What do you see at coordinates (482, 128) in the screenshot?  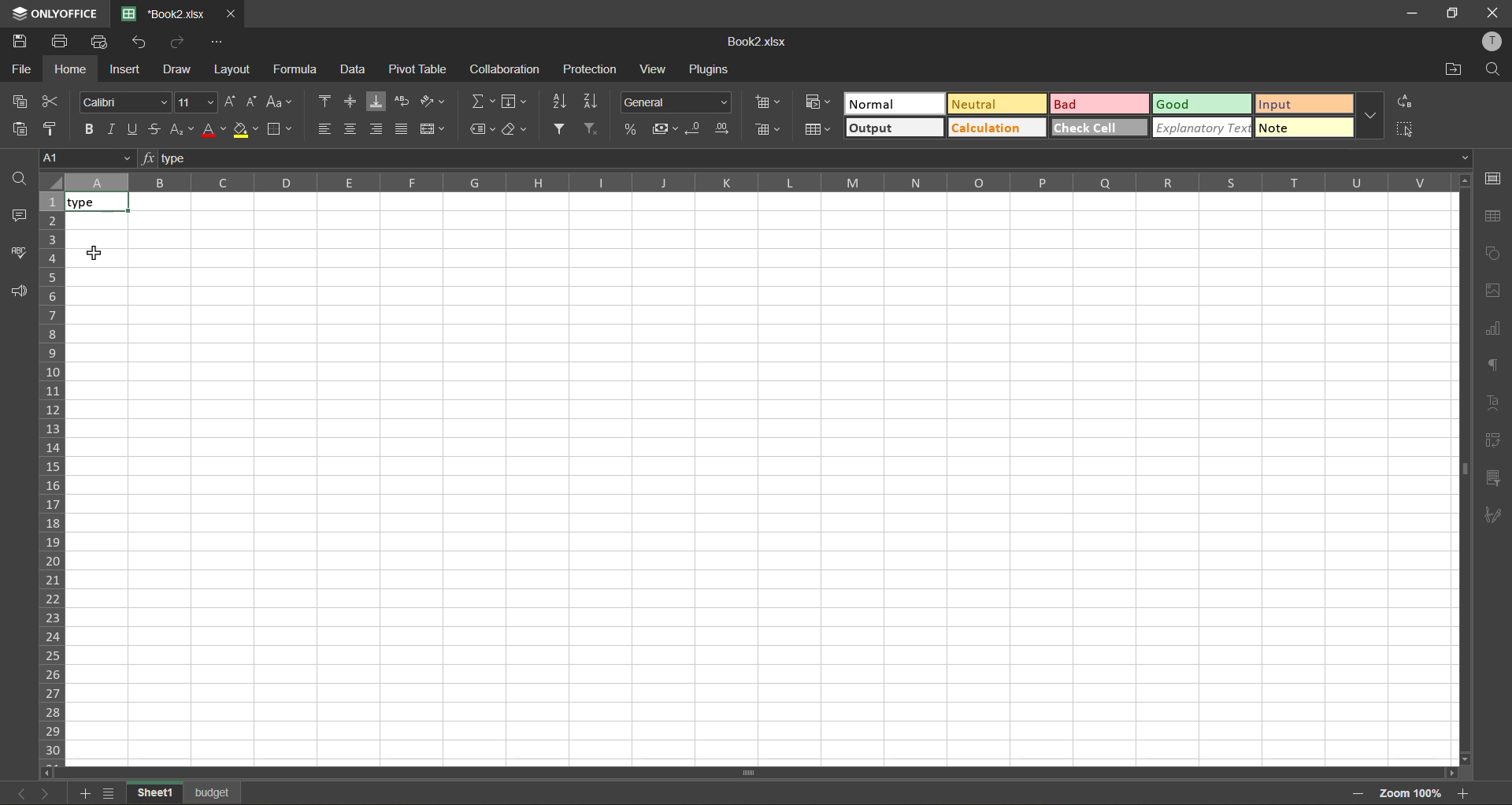 I see `named ranges` at bounding box center [482, 128].